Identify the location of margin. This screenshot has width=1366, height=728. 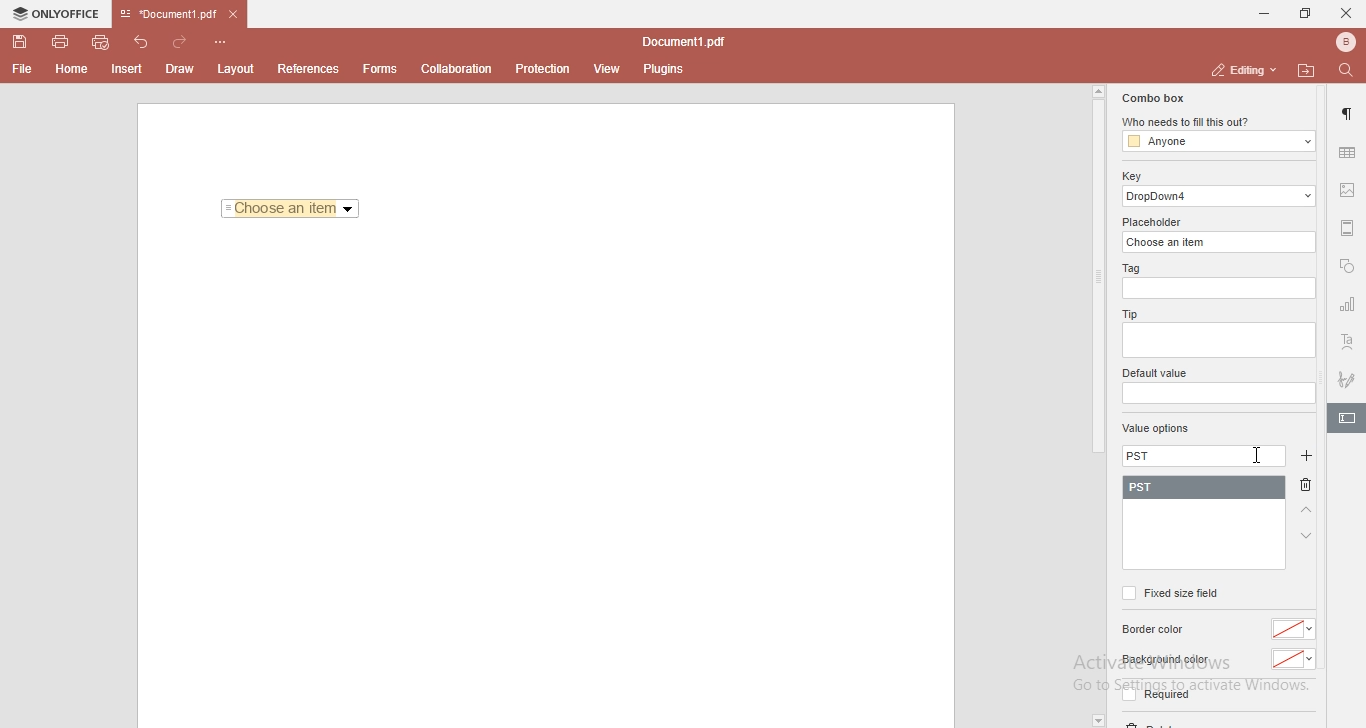
(1348, 226).